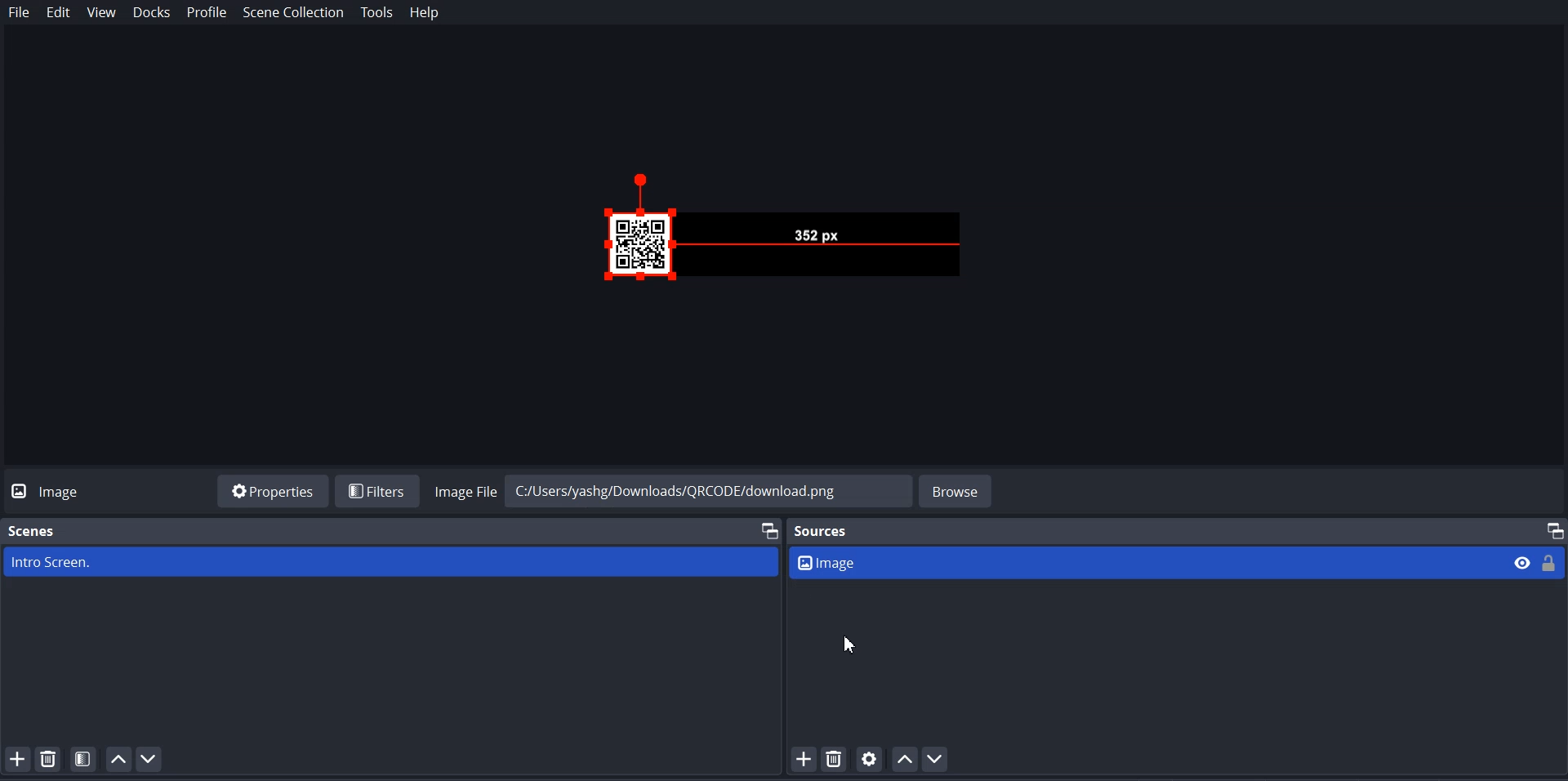 The image size is (1568, 781). I want to click on Docks, so click(153, 14).